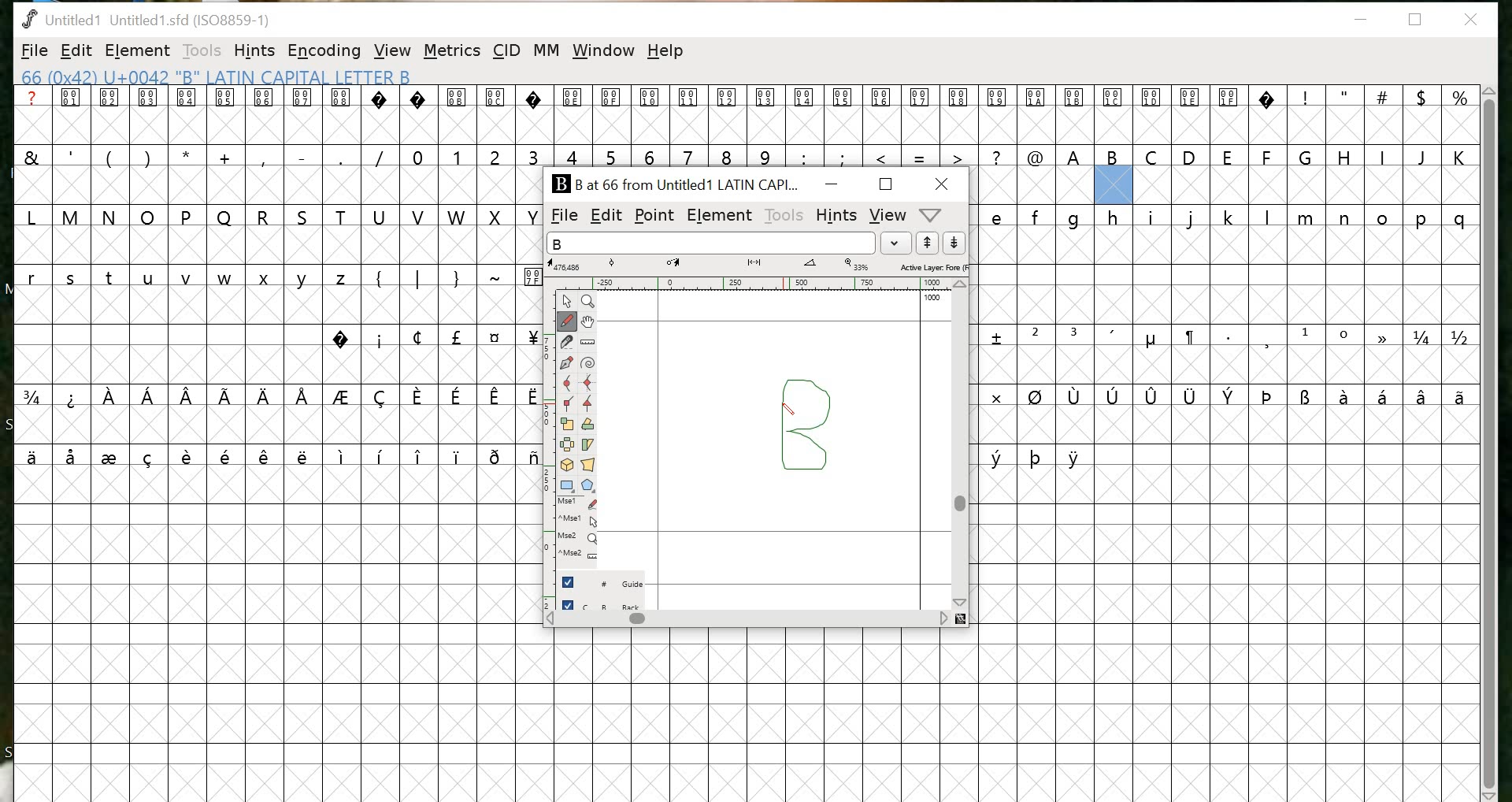 Image resolution: width=1512 pixels, height=802 pixels. I want to click on METRICS, so click(454, 50).